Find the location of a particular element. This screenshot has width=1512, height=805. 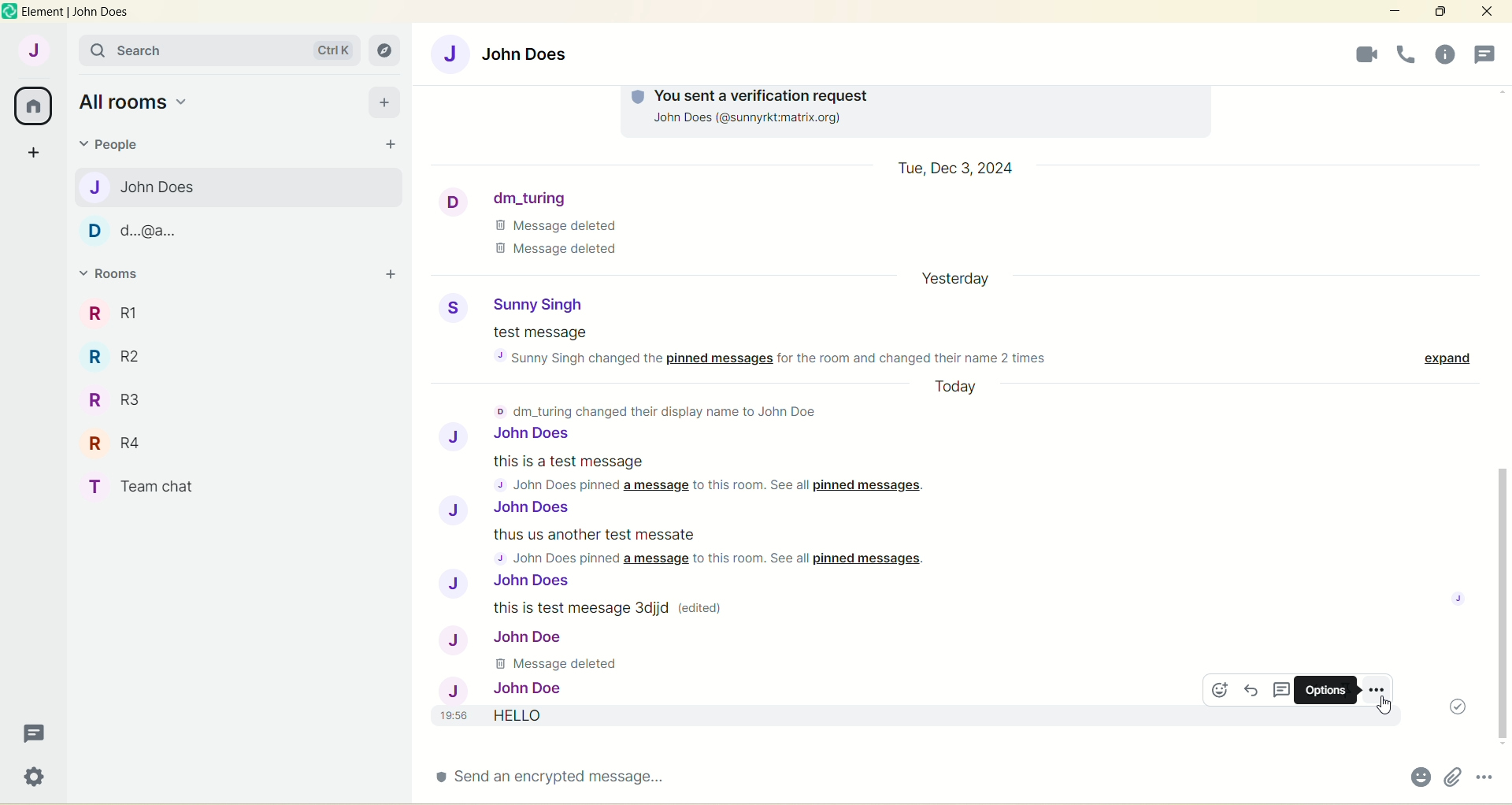

all rooms is located at coordinates (135, 102).